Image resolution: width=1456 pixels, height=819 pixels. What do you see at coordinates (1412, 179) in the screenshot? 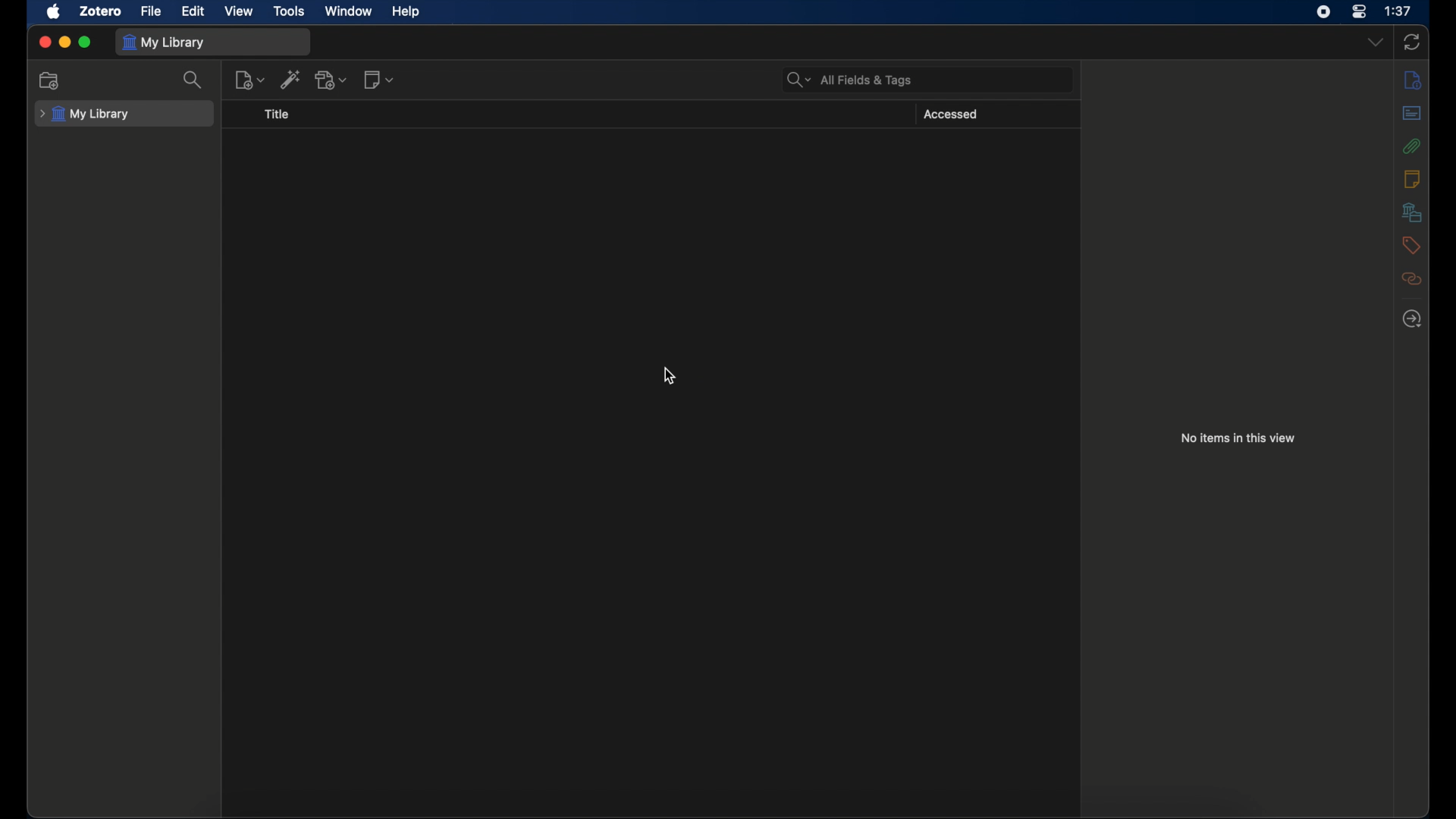
I see `notes` at bounding box center [1412, 179].